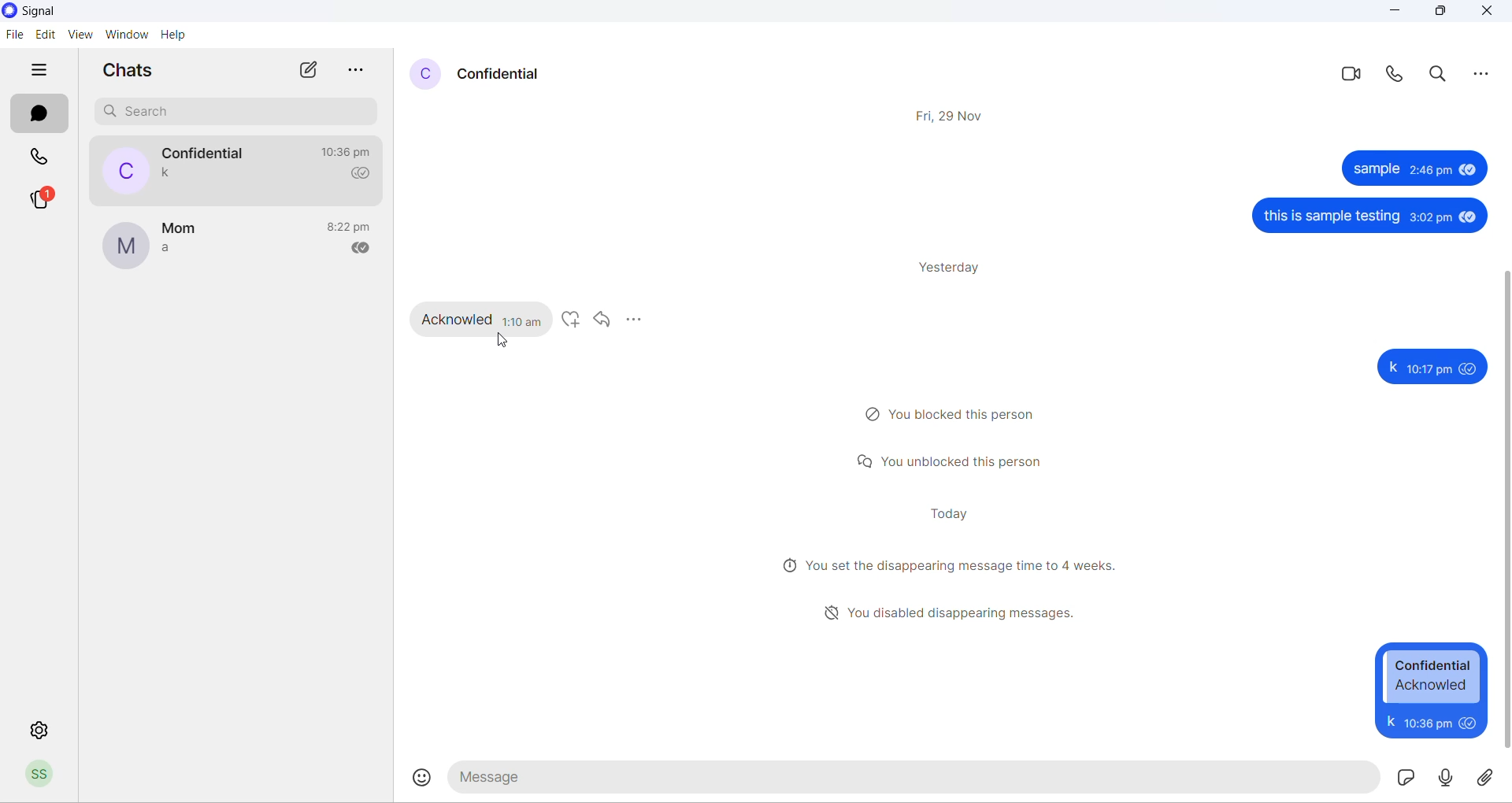 The image size is (1512, 803). I want to click on profile, so click(46, 775).